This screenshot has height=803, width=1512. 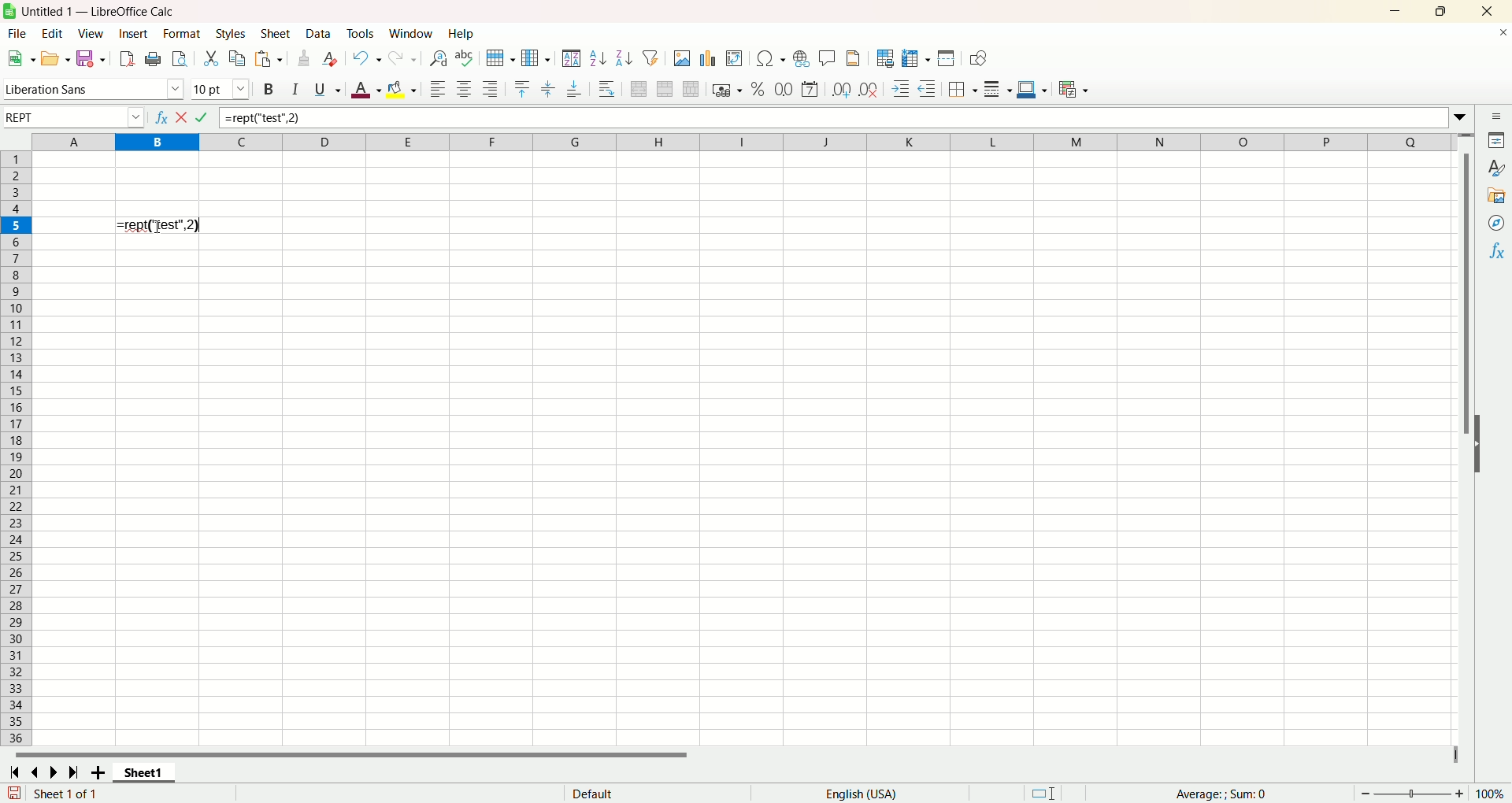 I want to click on edit, so click(x=51, y=31).